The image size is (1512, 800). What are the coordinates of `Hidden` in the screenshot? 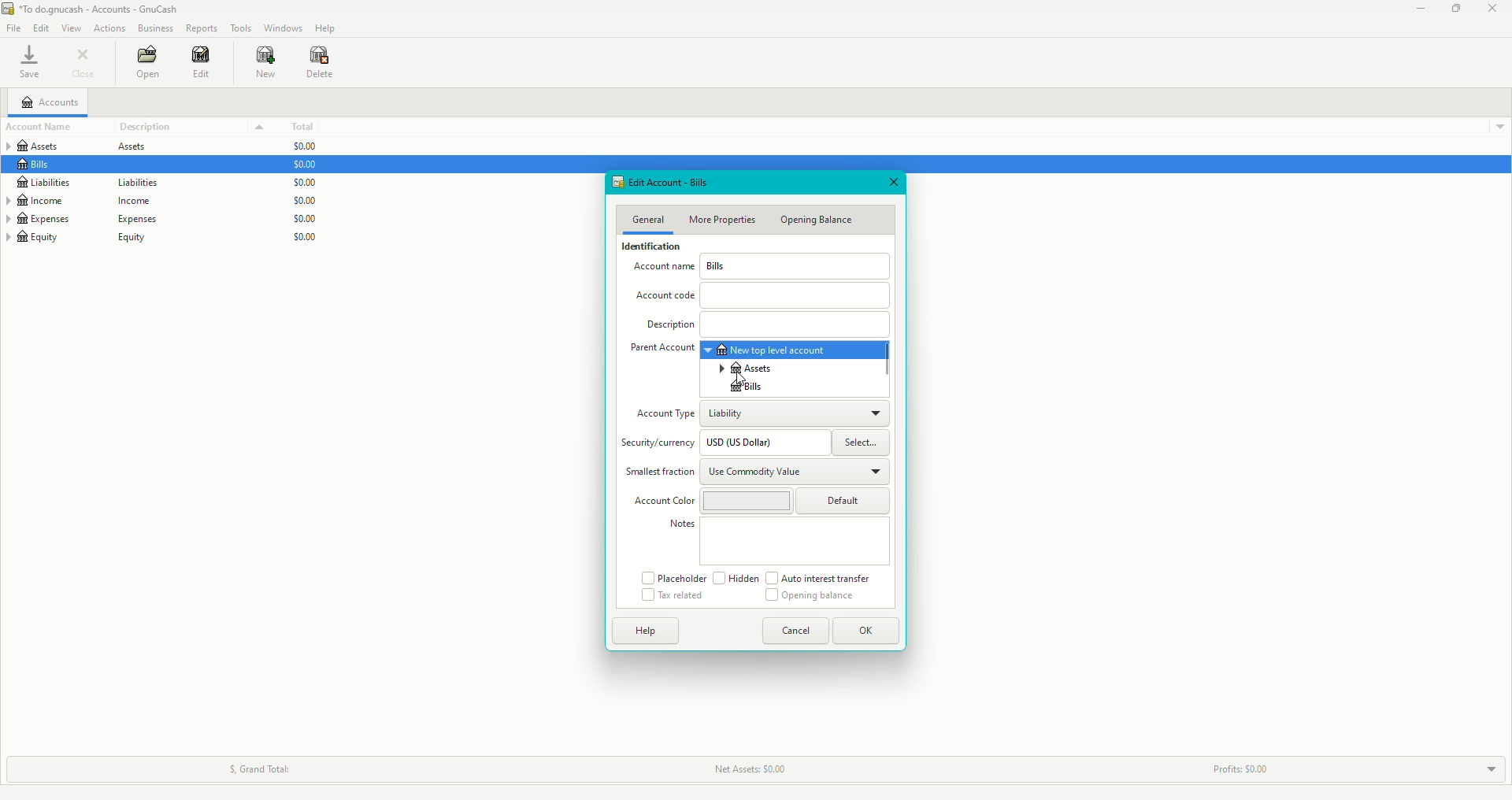 It's located at (736, 579).